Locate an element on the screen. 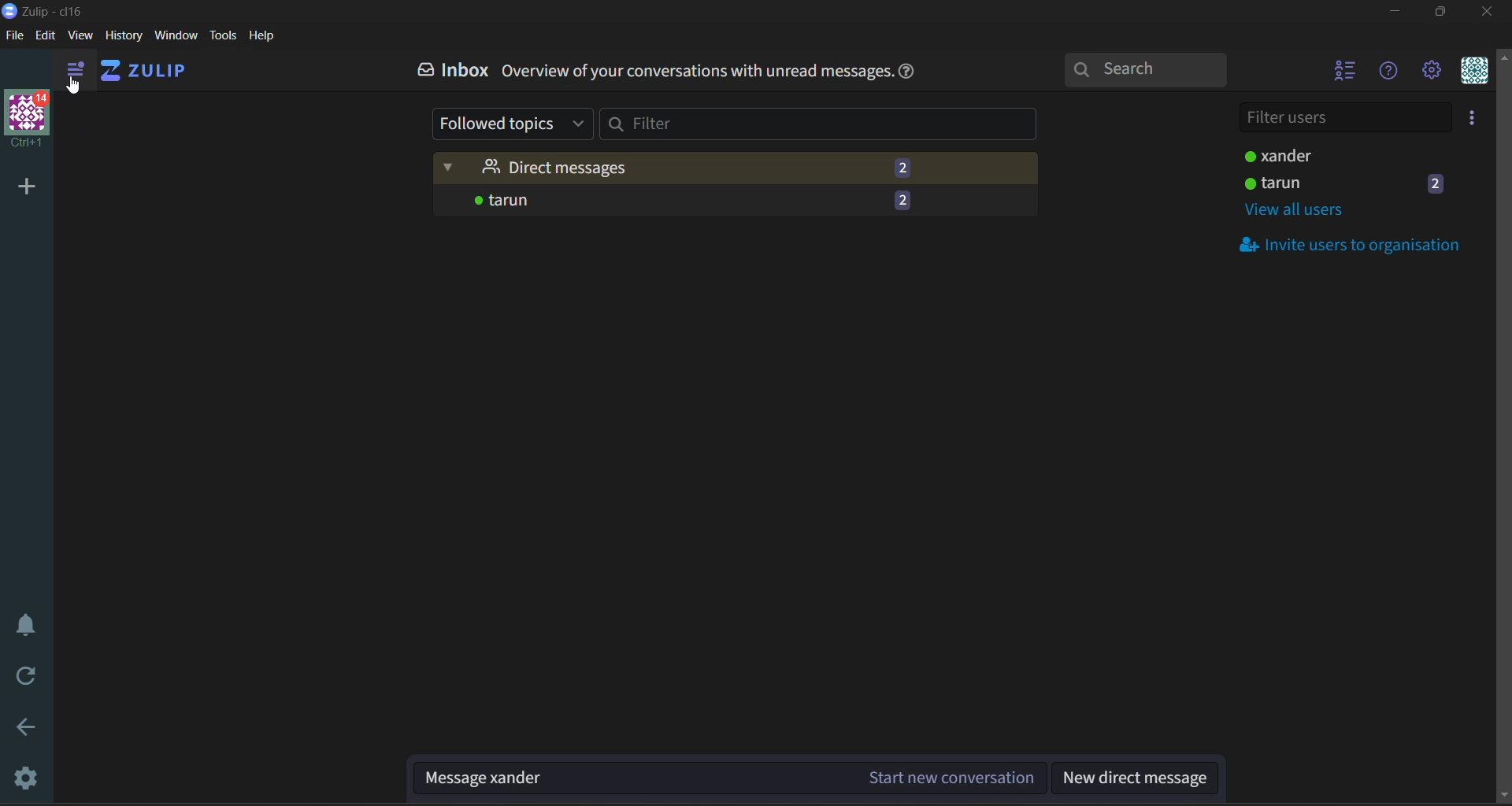 The width and height of the screenshot is (1512, 806). close is located at coordinates (1490, 14).